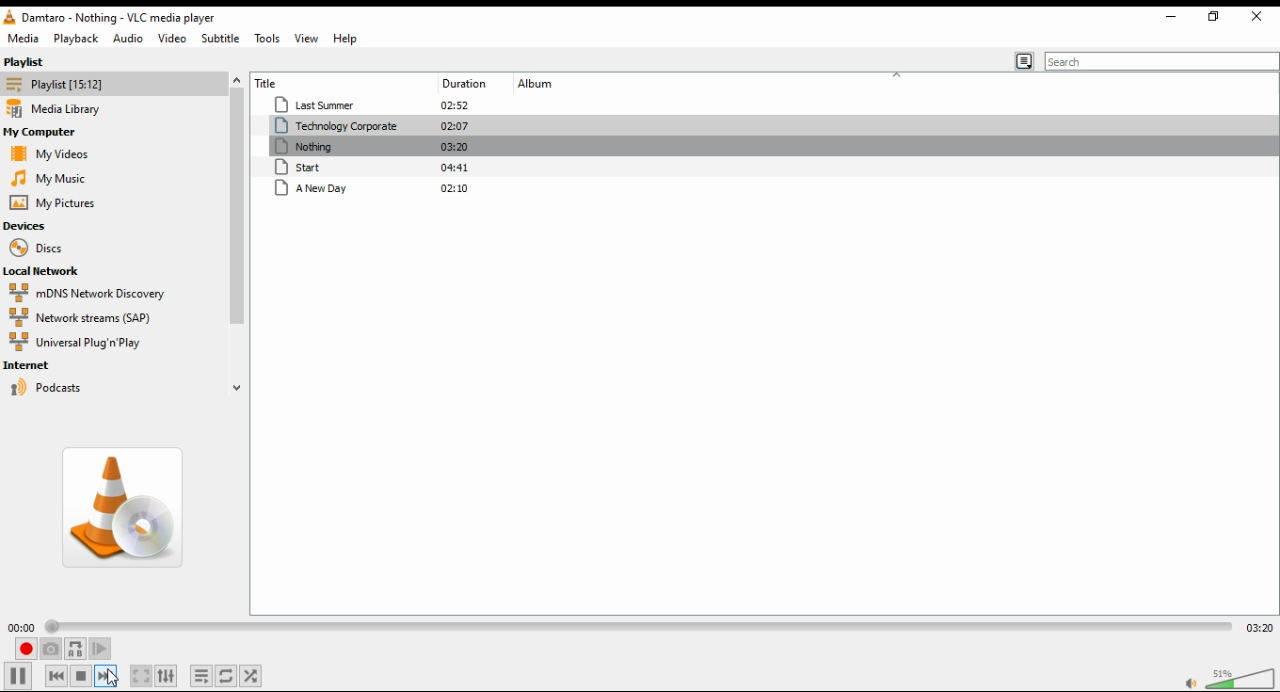 Image resolution: width=1280 pixels, height=692 pixels. Describe the element at coordinates (312, 82) in the screenshot. I see `title` at that location.